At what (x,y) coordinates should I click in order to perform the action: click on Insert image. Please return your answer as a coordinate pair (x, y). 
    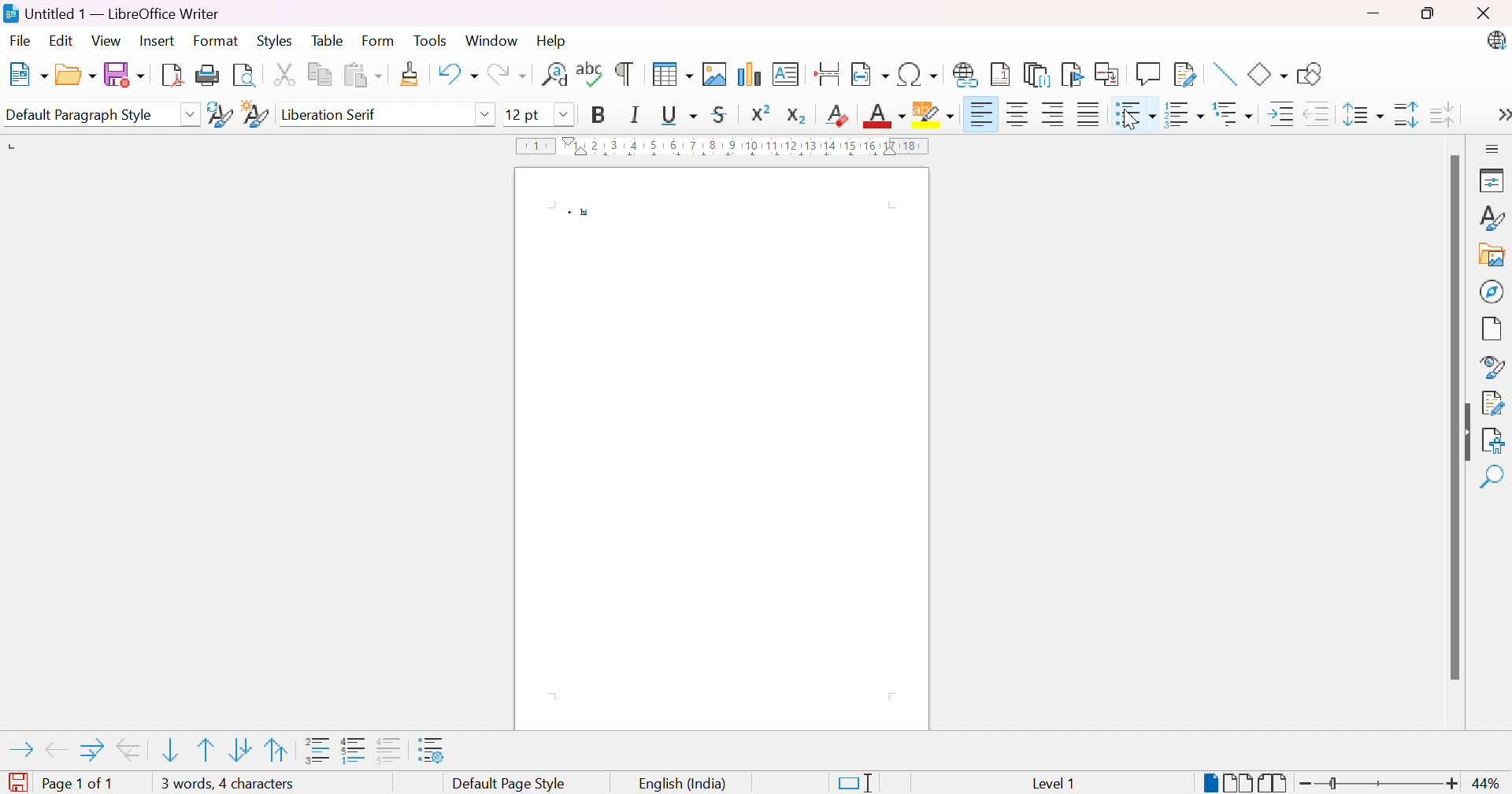
    Looking at the image, I should click on (716, 74).